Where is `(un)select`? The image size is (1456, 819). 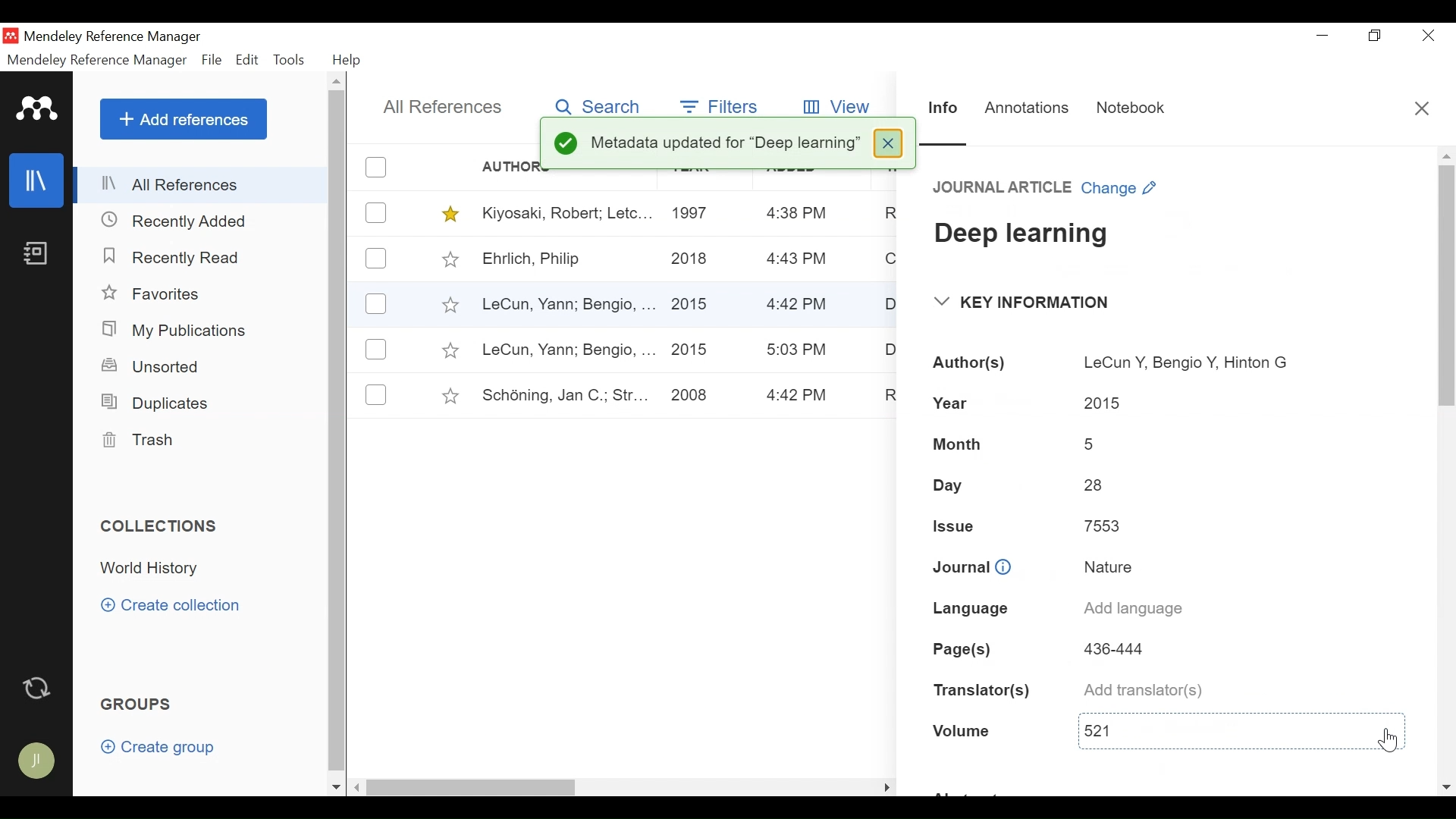 (un)select is located at coordinates (376, 213).